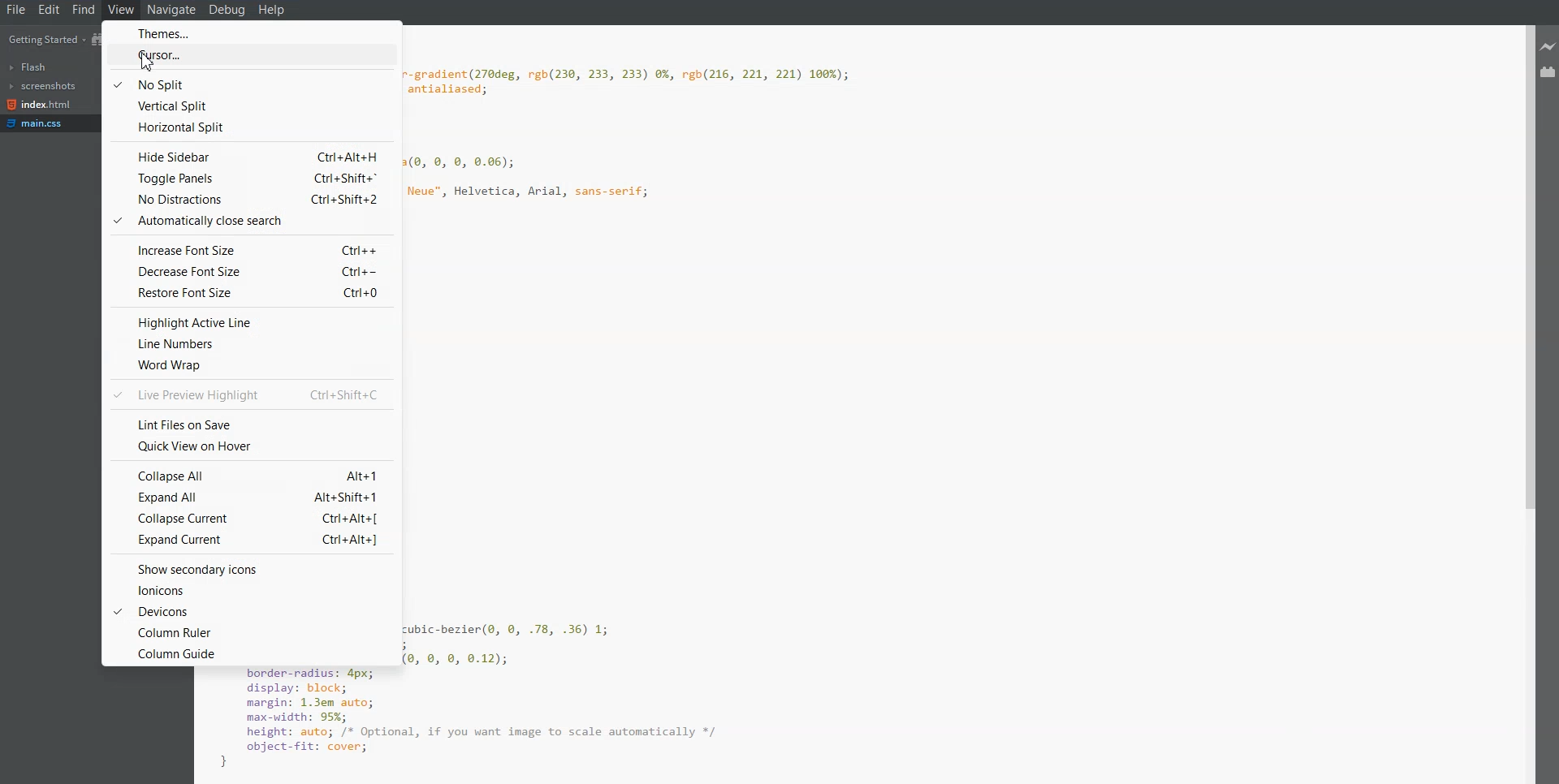 The width and height of the screenshot is (1559, 784). I want to click on Live Preview Highlight, so click(253, 394).